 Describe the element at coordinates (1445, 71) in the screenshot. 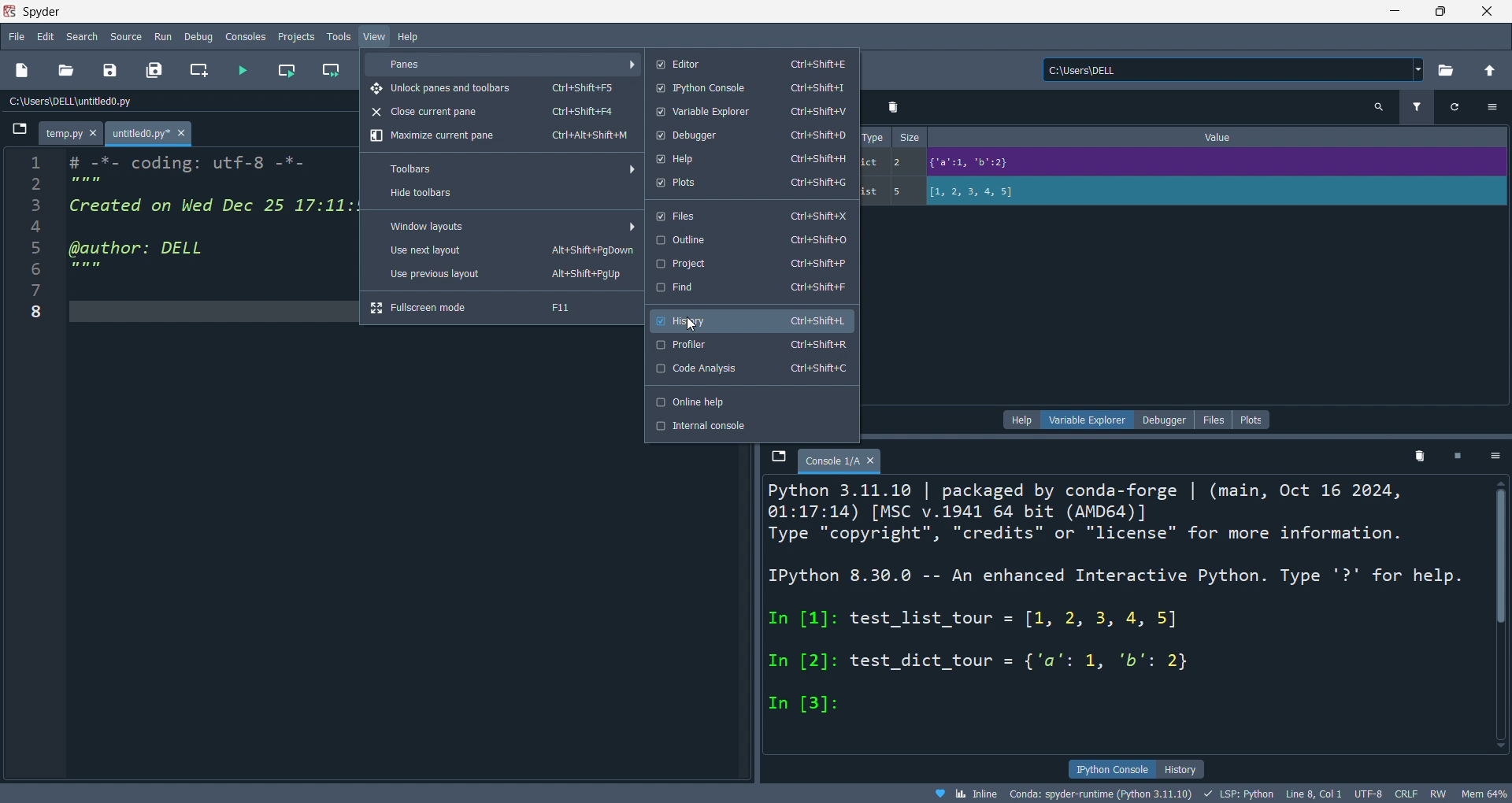

I see `open directory` at that location.